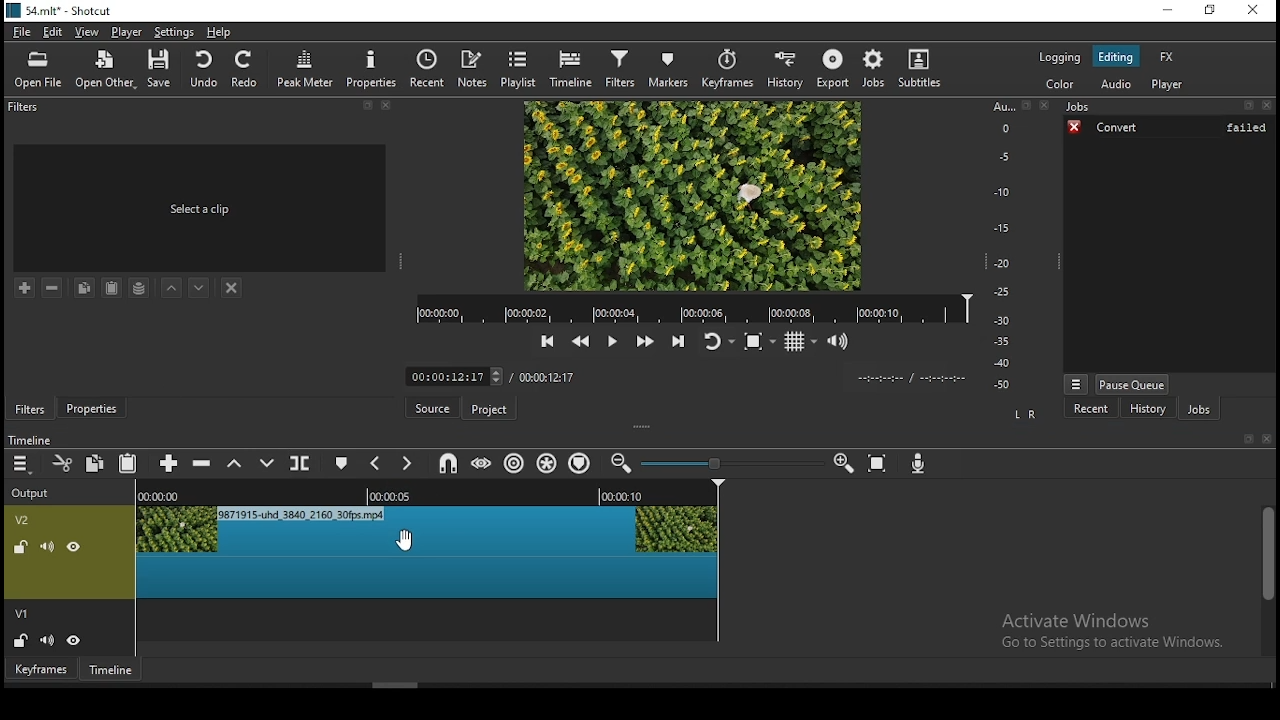  What do you see at coordinates (302, 462) in the screenshot?
I see `split at playhead` at bounding box center [302, 462].